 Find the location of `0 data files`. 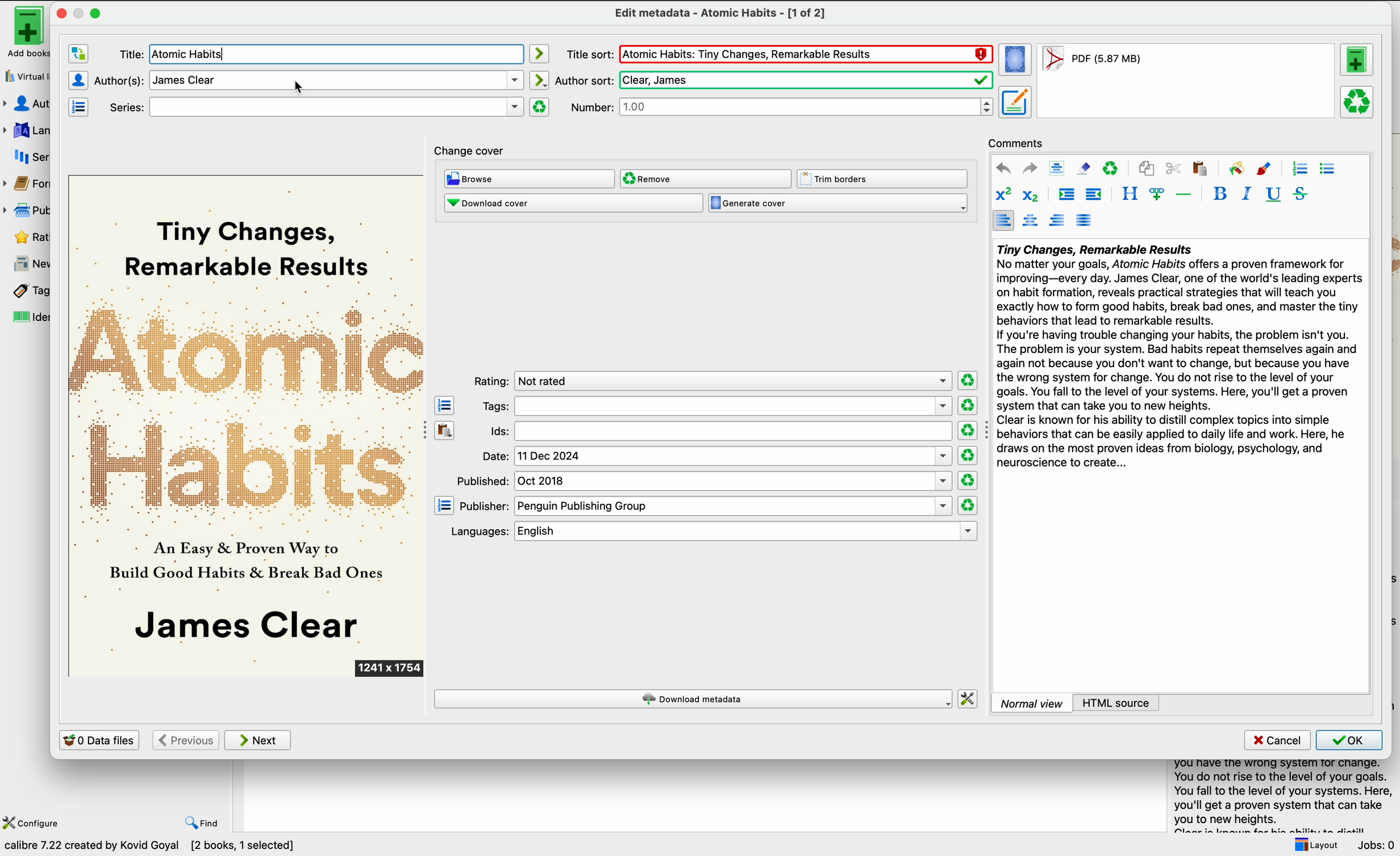

0 data files is located at coordinates (99, 739).